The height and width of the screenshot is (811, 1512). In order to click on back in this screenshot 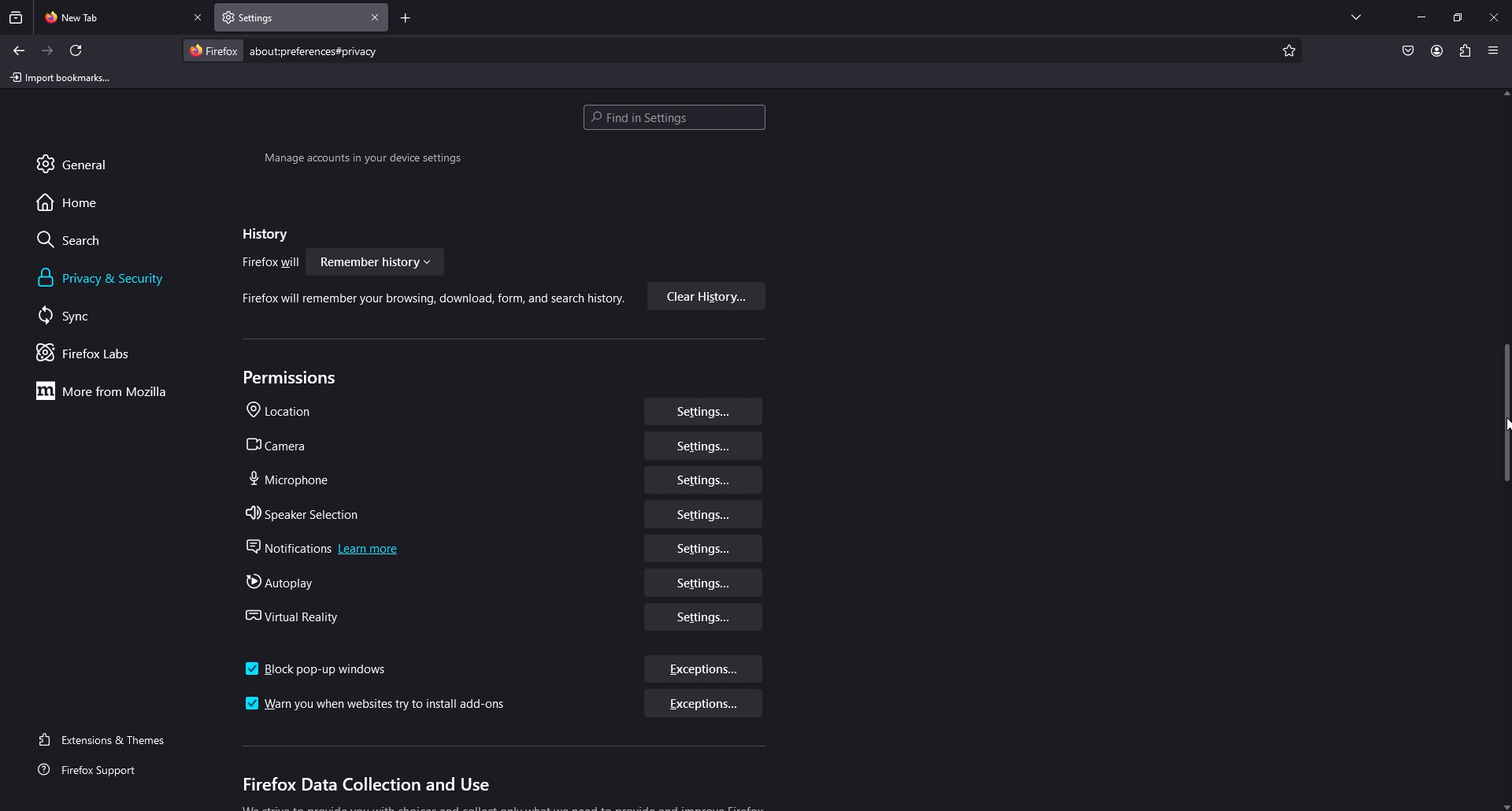, I will do `click(18, 50)`.